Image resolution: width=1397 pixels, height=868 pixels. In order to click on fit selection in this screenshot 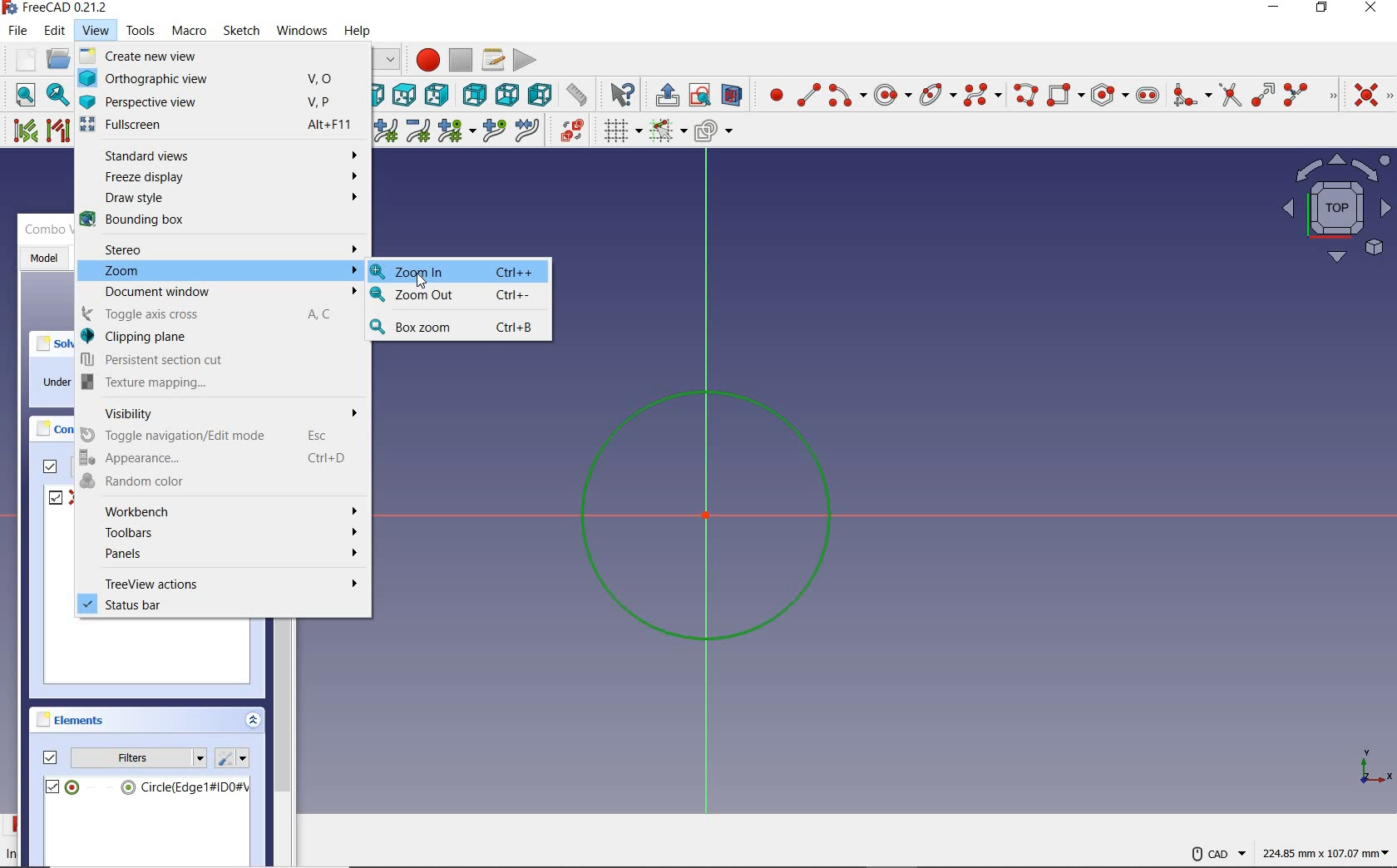, I will do `click(56, 94)`.